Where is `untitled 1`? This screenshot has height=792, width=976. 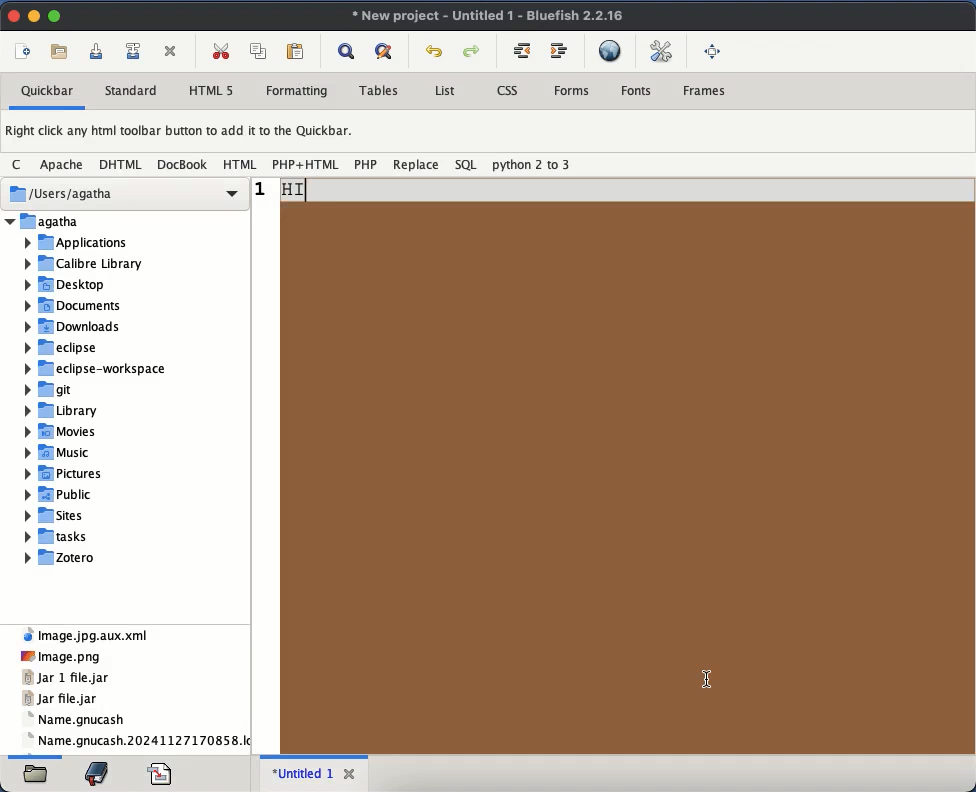 untitled 1 is located at coordinates (301, 773).